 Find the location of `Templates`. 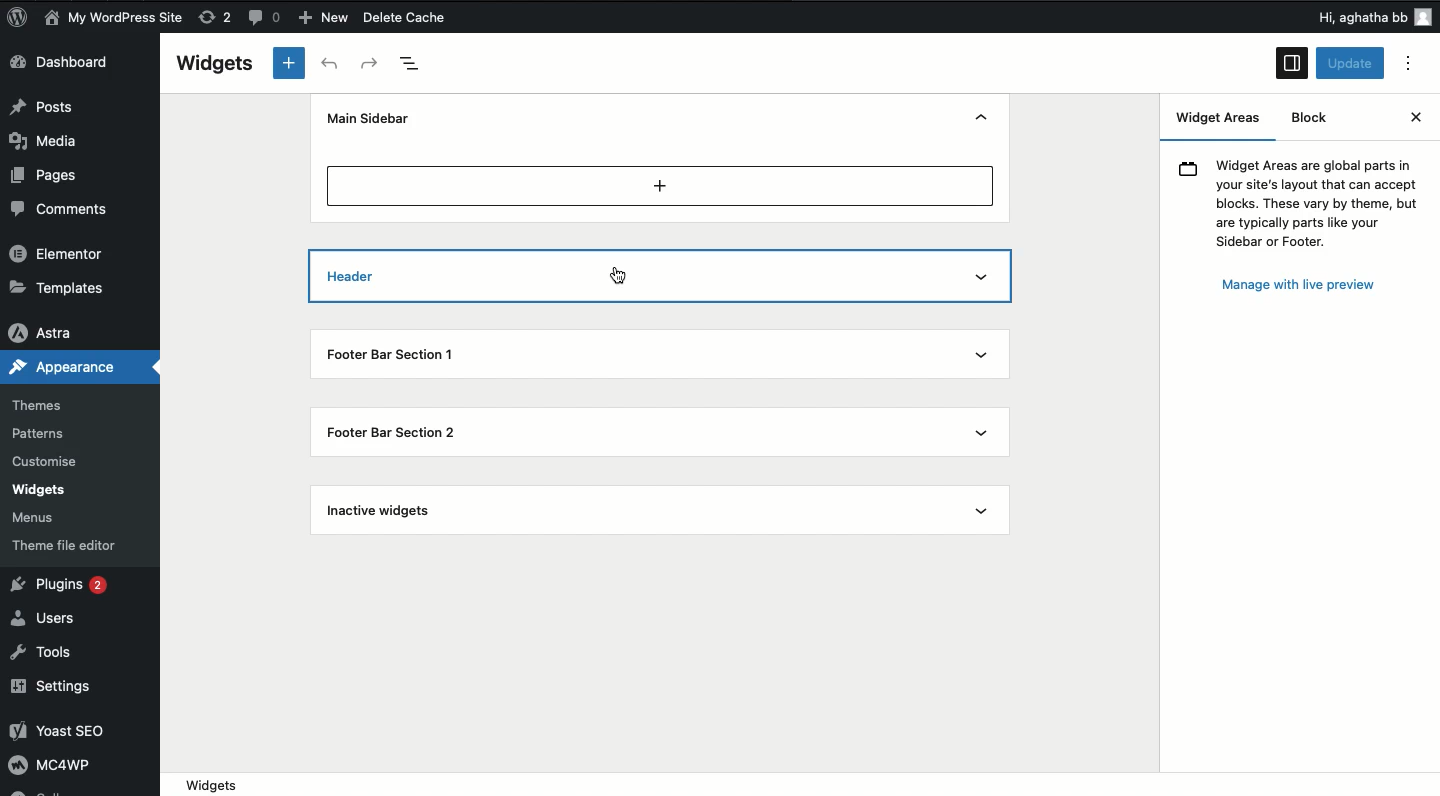

Templates is located at coordinates (58, 287).